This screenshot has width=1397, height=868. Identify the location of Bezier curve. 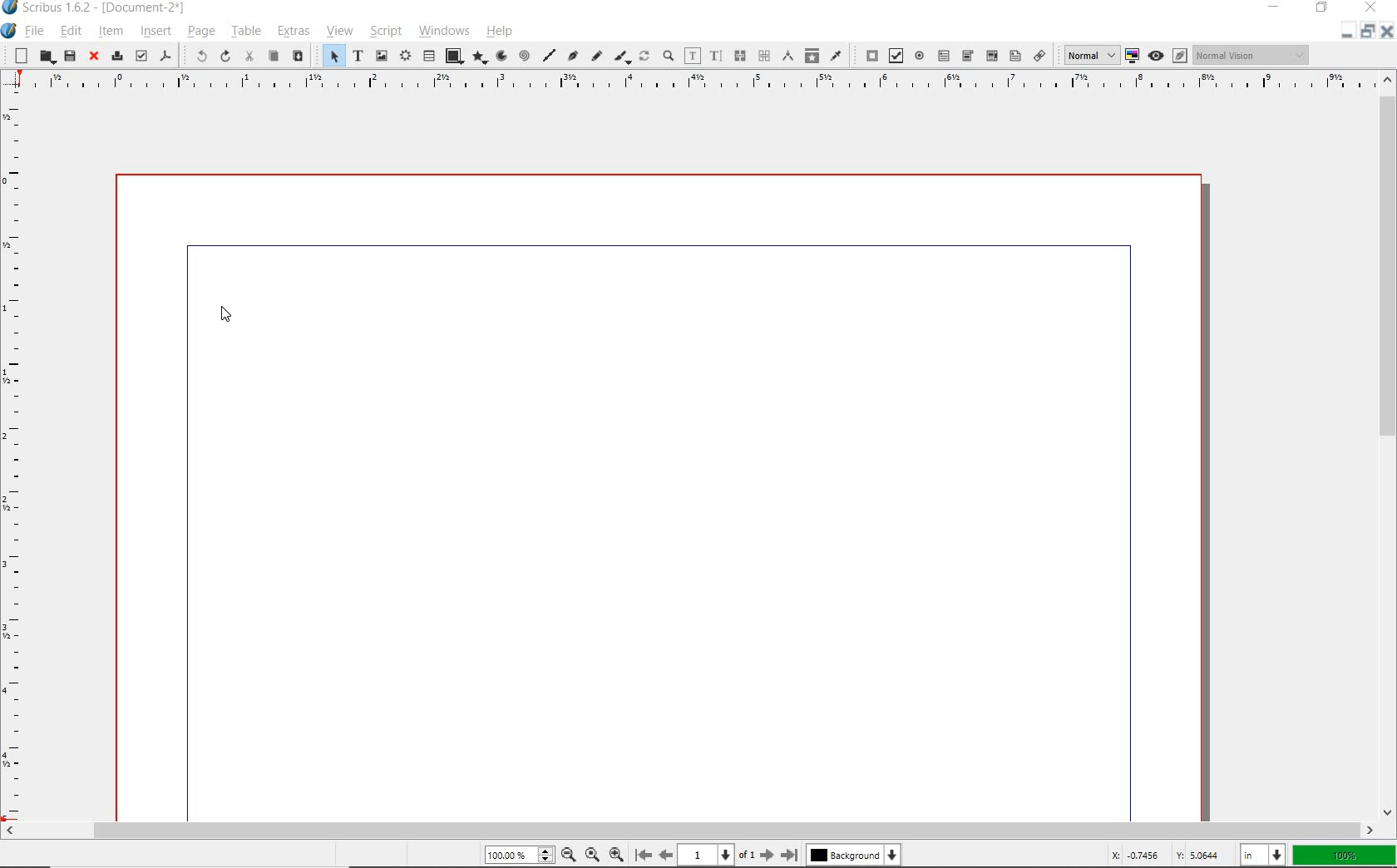
(574, 57).